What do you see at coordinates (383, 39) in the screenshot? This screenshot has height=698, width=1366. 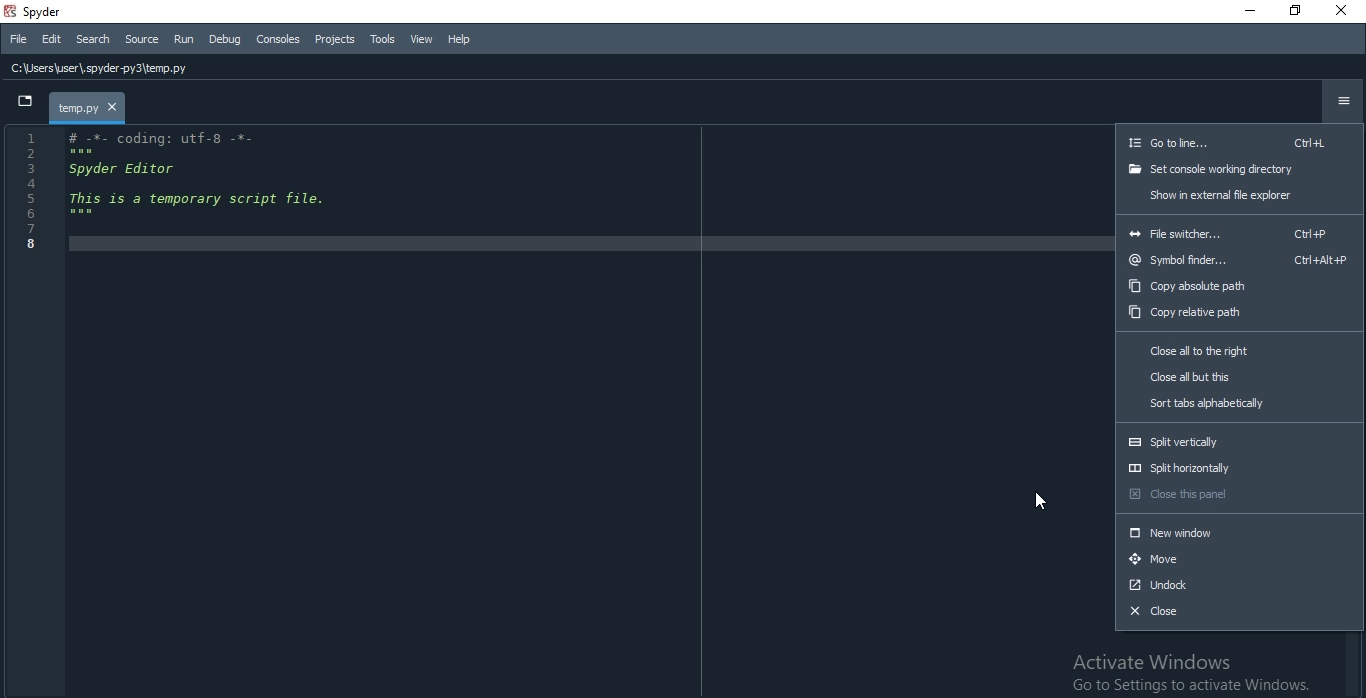 I see `Tools` at bounding box center [383, 39].